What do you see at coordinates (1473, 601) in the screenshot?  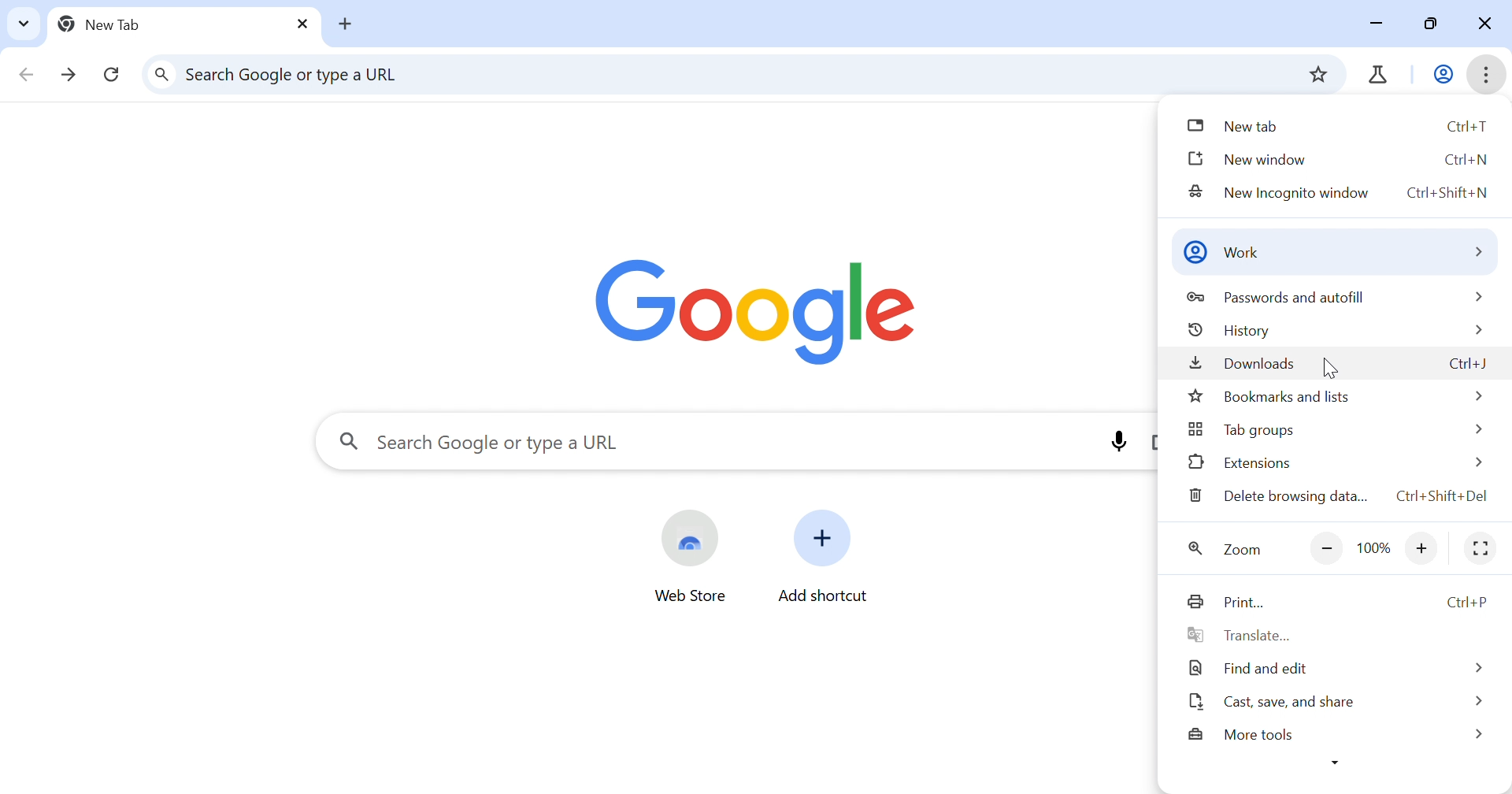 I see `Ctrl+P` at bounding box center [1473, 601].